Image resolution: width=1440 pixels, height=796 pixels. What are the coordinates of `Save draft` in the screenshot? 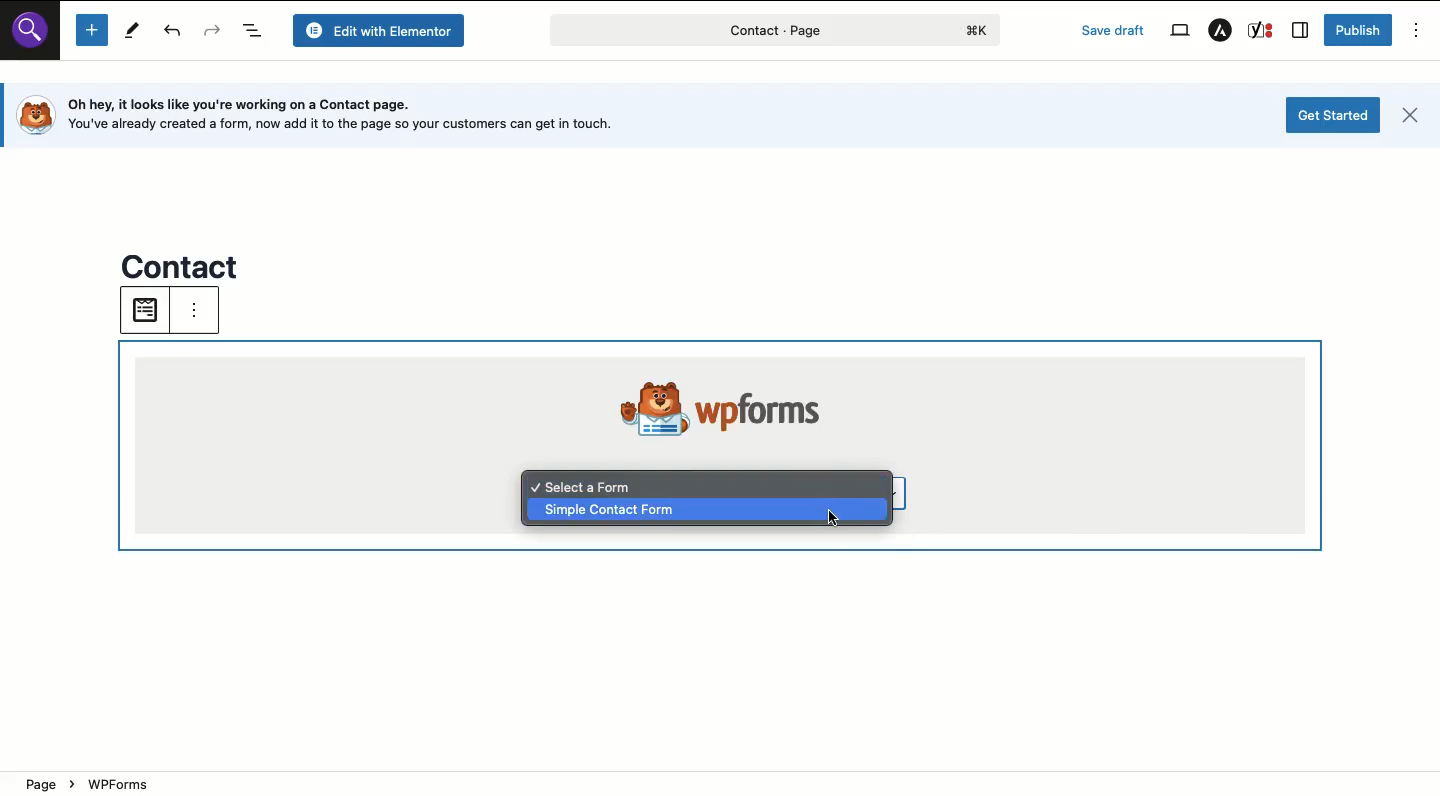 It's located at (1115, 31).